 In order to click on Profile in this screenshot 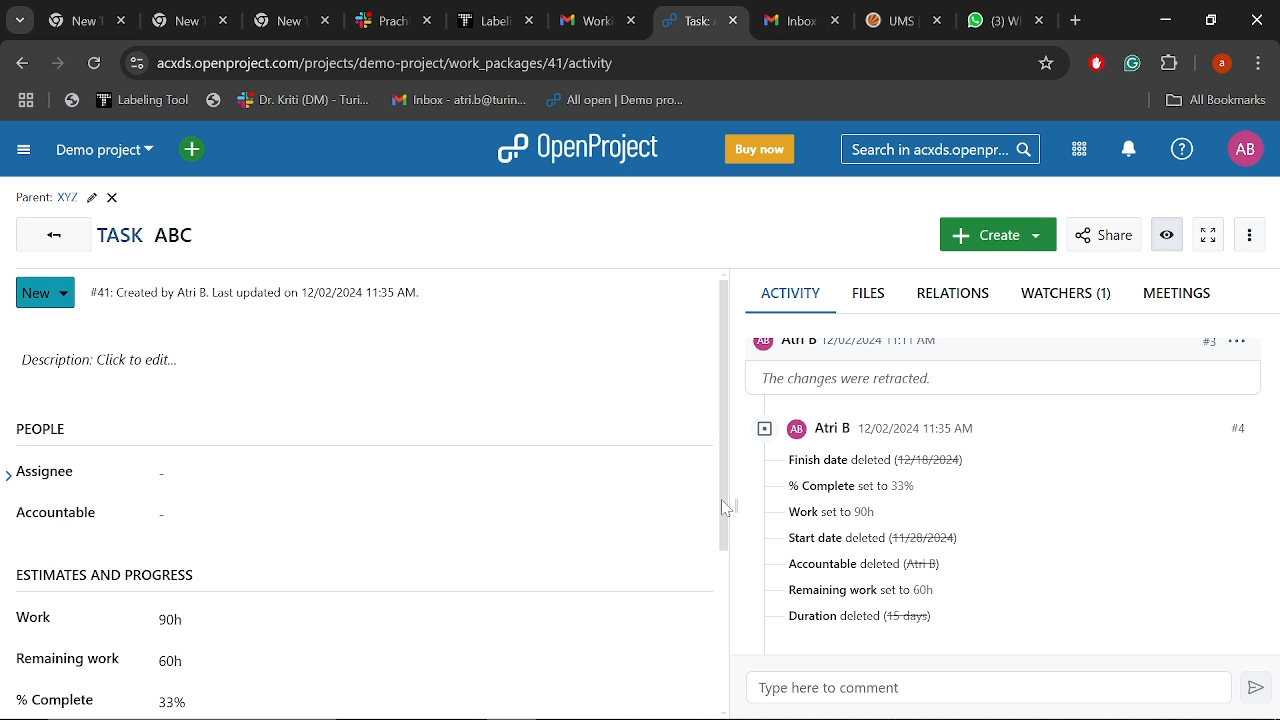, I will do `click(1243, 149)`.